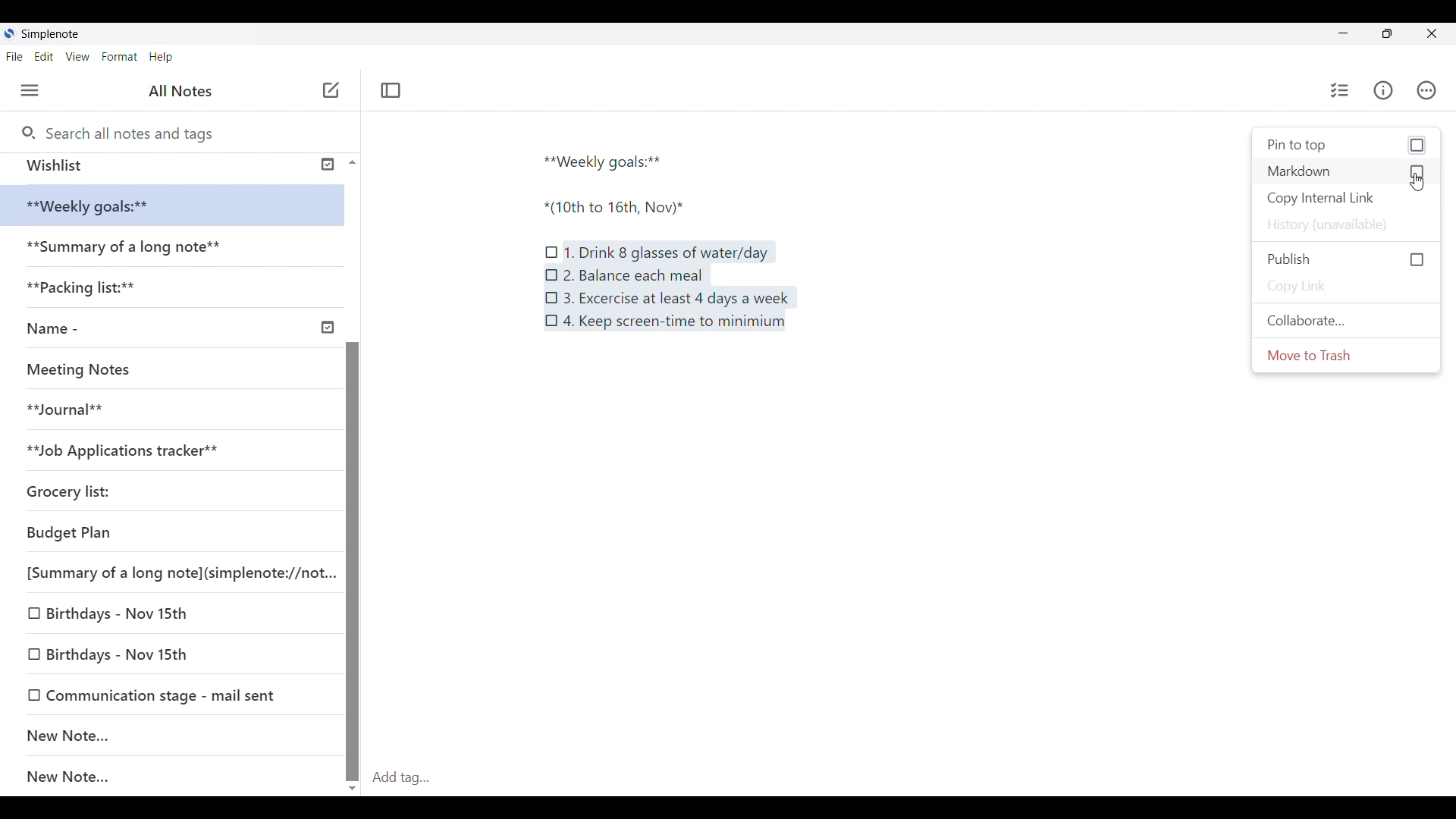 Image resolution: width=1456 pixels, height=819 pixels. I want to click on Checklist icon, so click(551, 273).